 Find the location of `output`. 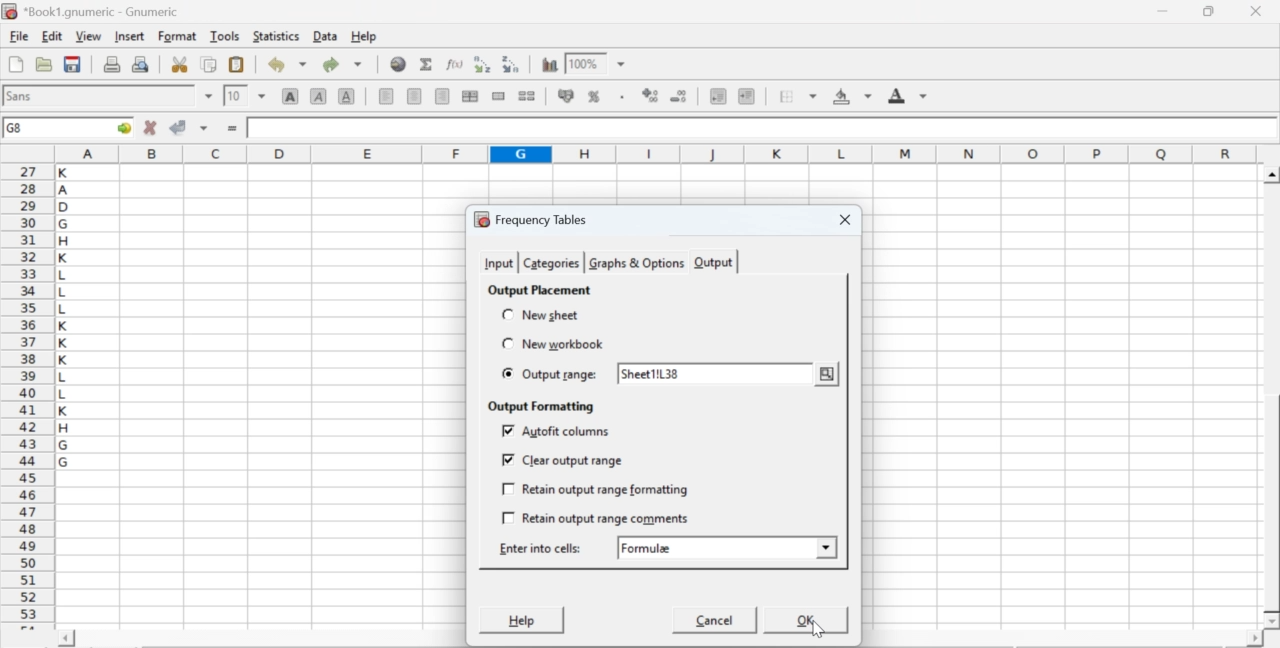

output is located at coordinates (714, 263).